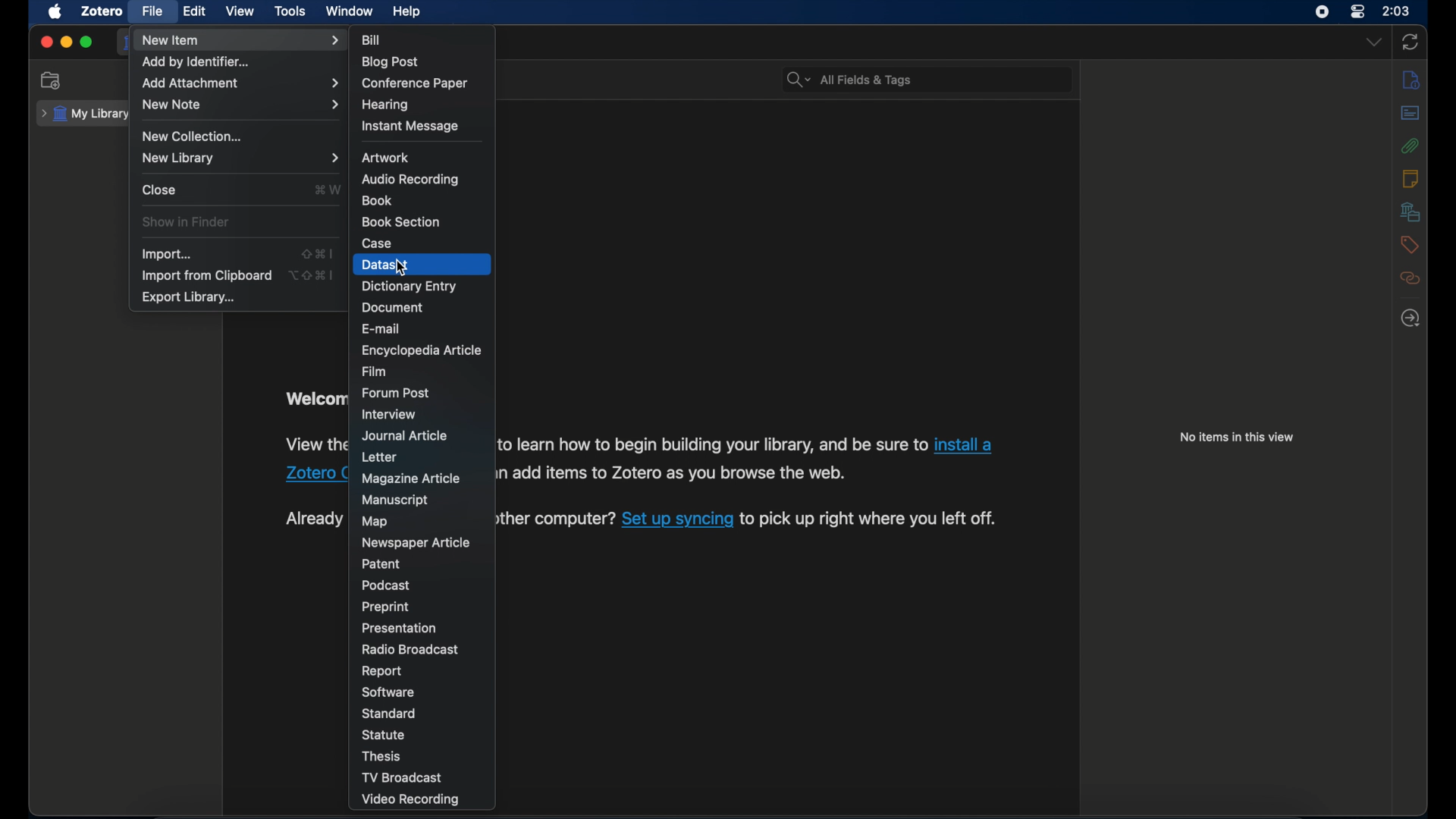 The image size is (1456, 819). What do you see at coordinates (552, 519) in the screenshot?
I see `` at bounding box center [552, 519].